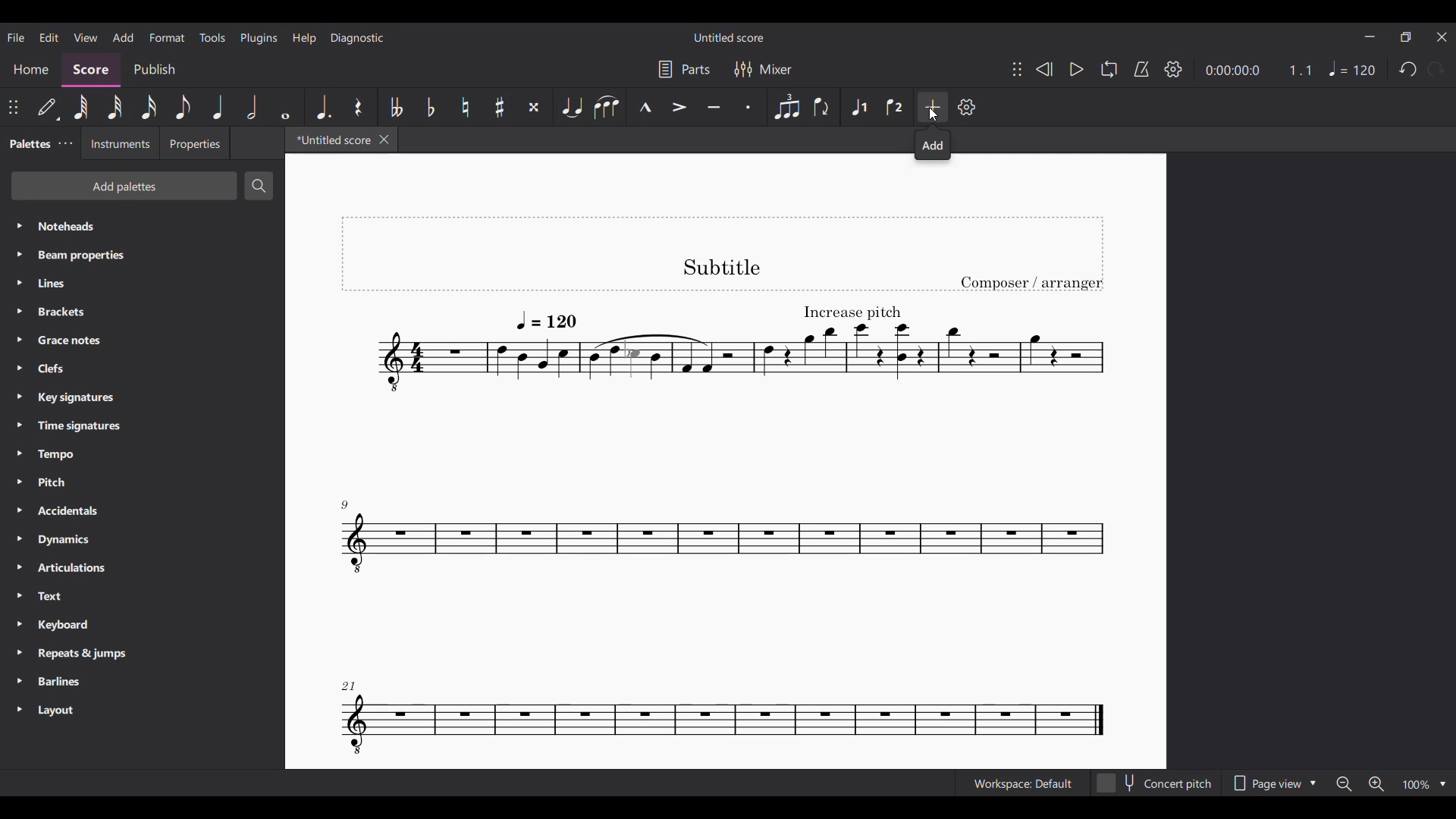 The height and width of the screenshot is (819, 1456). I want to click on Settings, so click(967, 107).